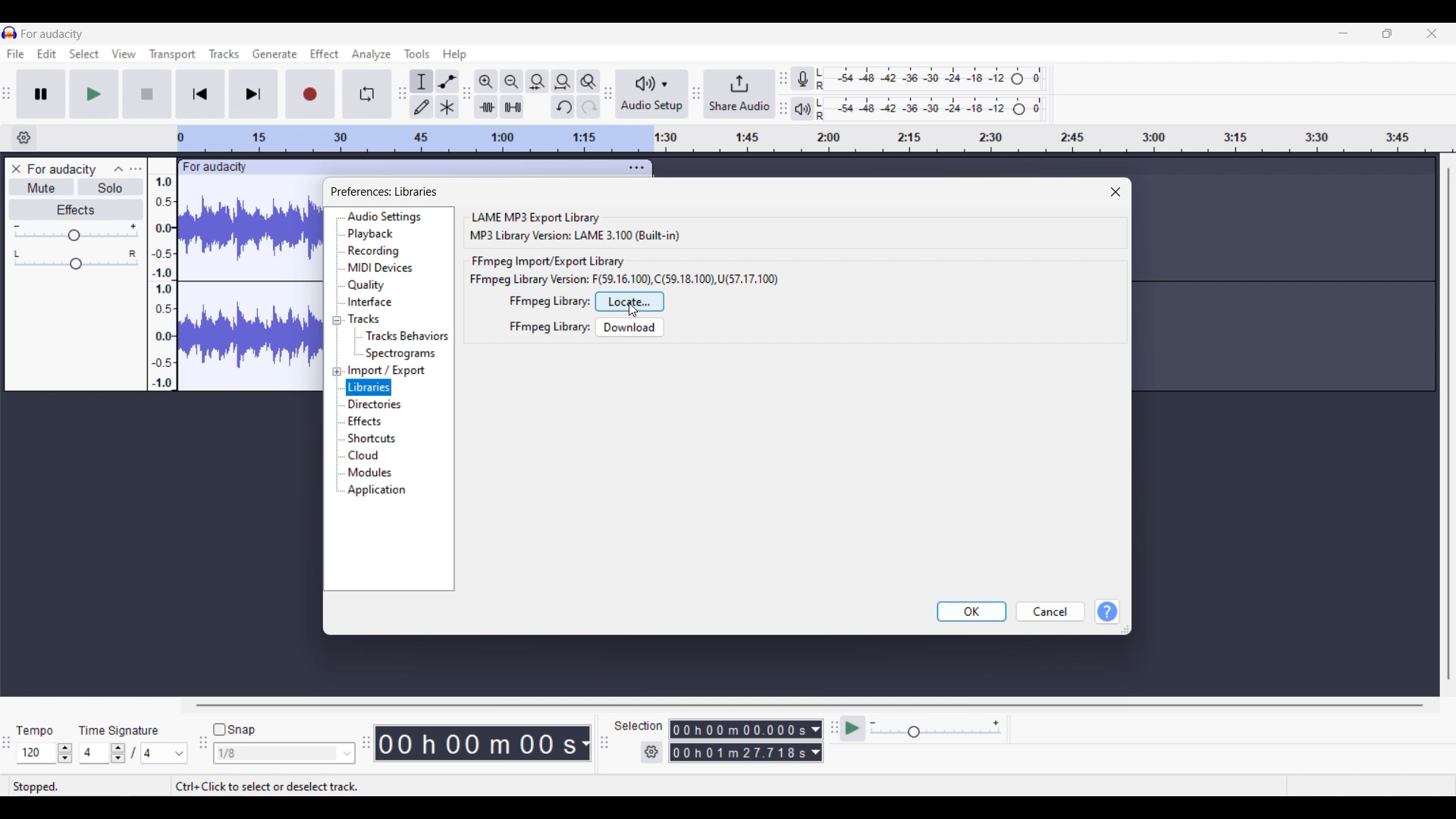 The image size is (1456, 819). I want to click on OK, so click(971, 612).